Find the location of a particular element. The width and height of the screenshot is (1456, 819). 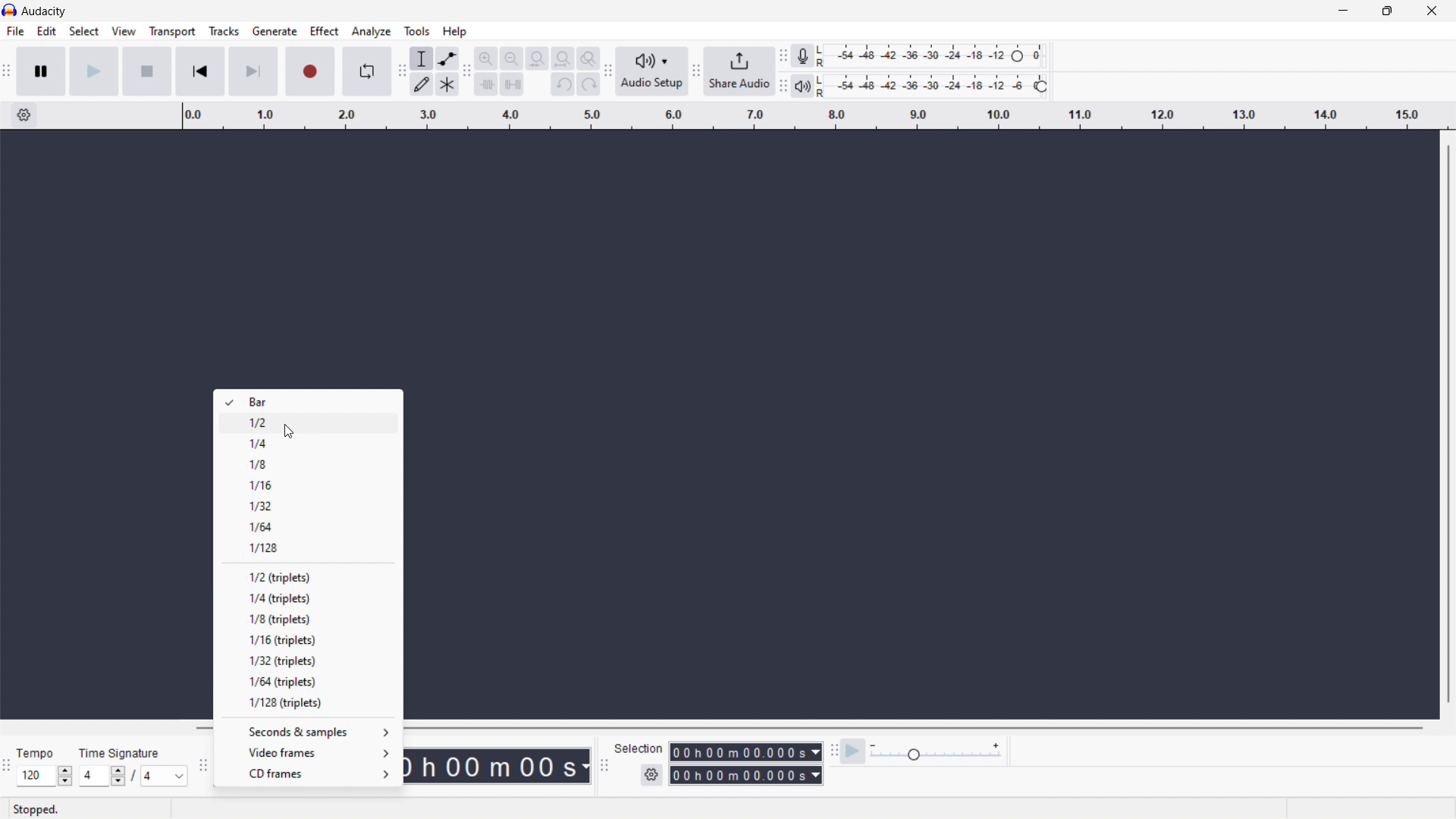

audio setup toolbar is located at coordinates (607, 72).